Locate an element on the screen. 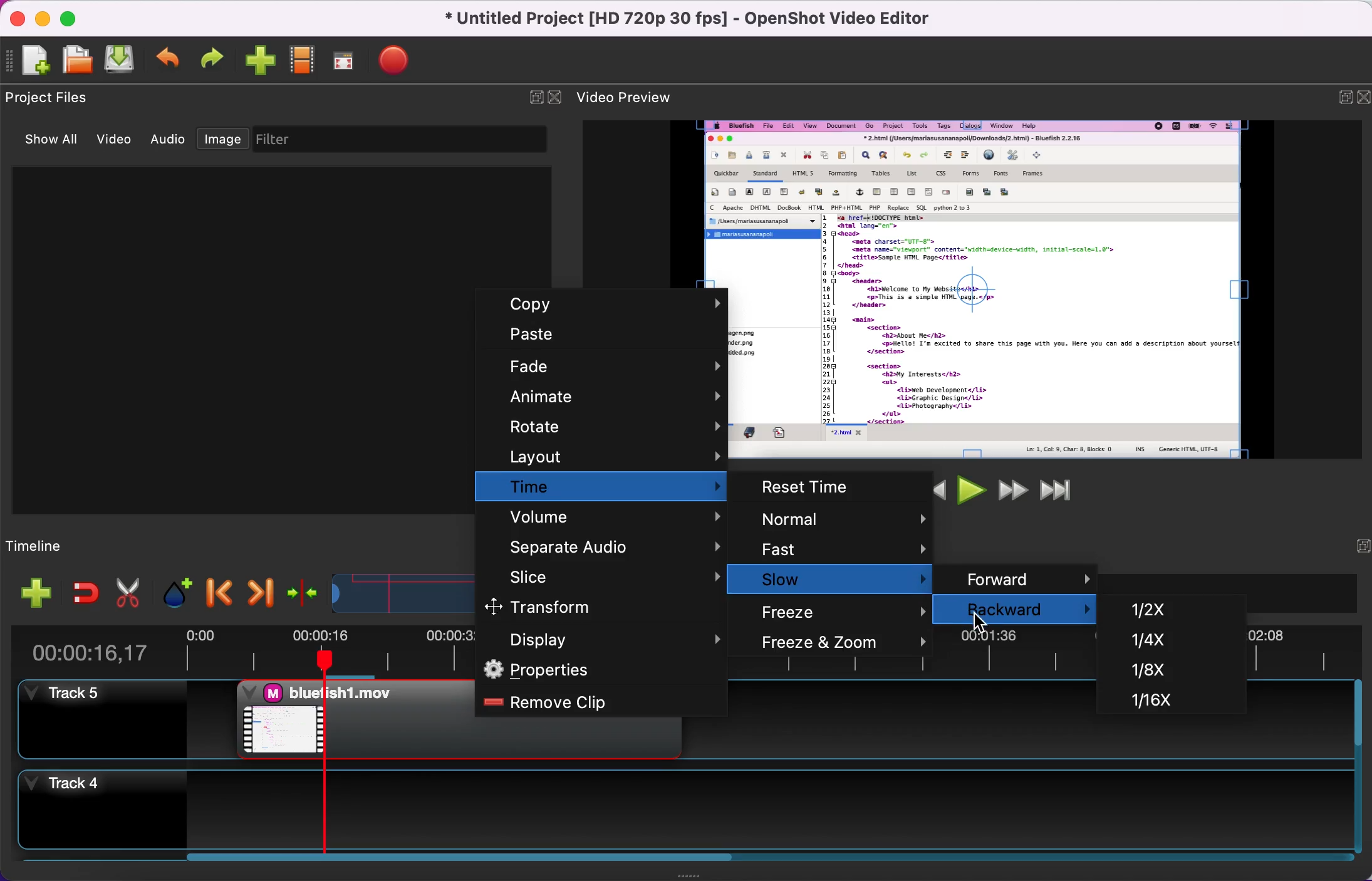 The image size is (1372, 881). undo is located at coordinates (170, 59).